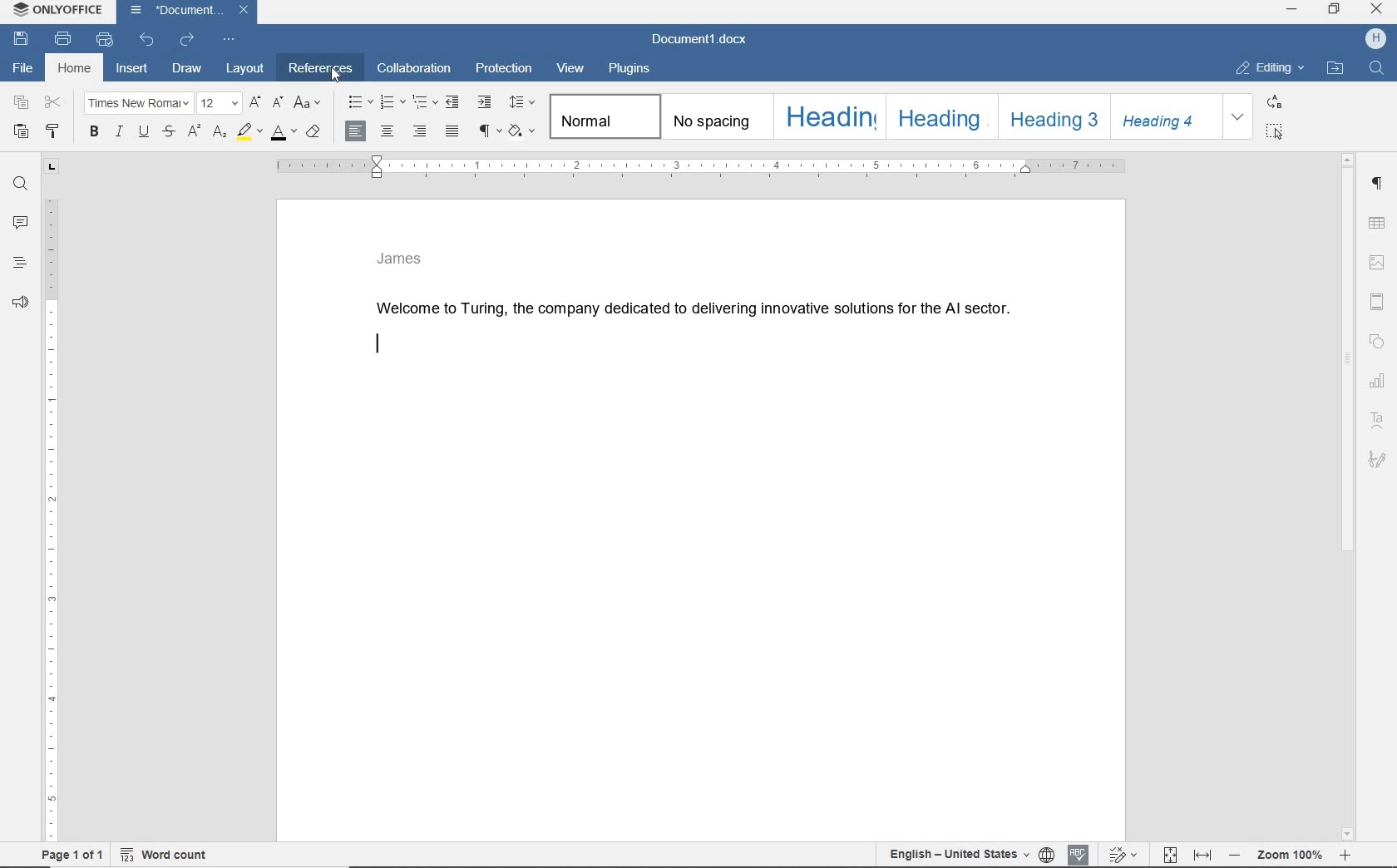 This screenshot has height=868, width=1397. I want to click on James, so click(401, 257).